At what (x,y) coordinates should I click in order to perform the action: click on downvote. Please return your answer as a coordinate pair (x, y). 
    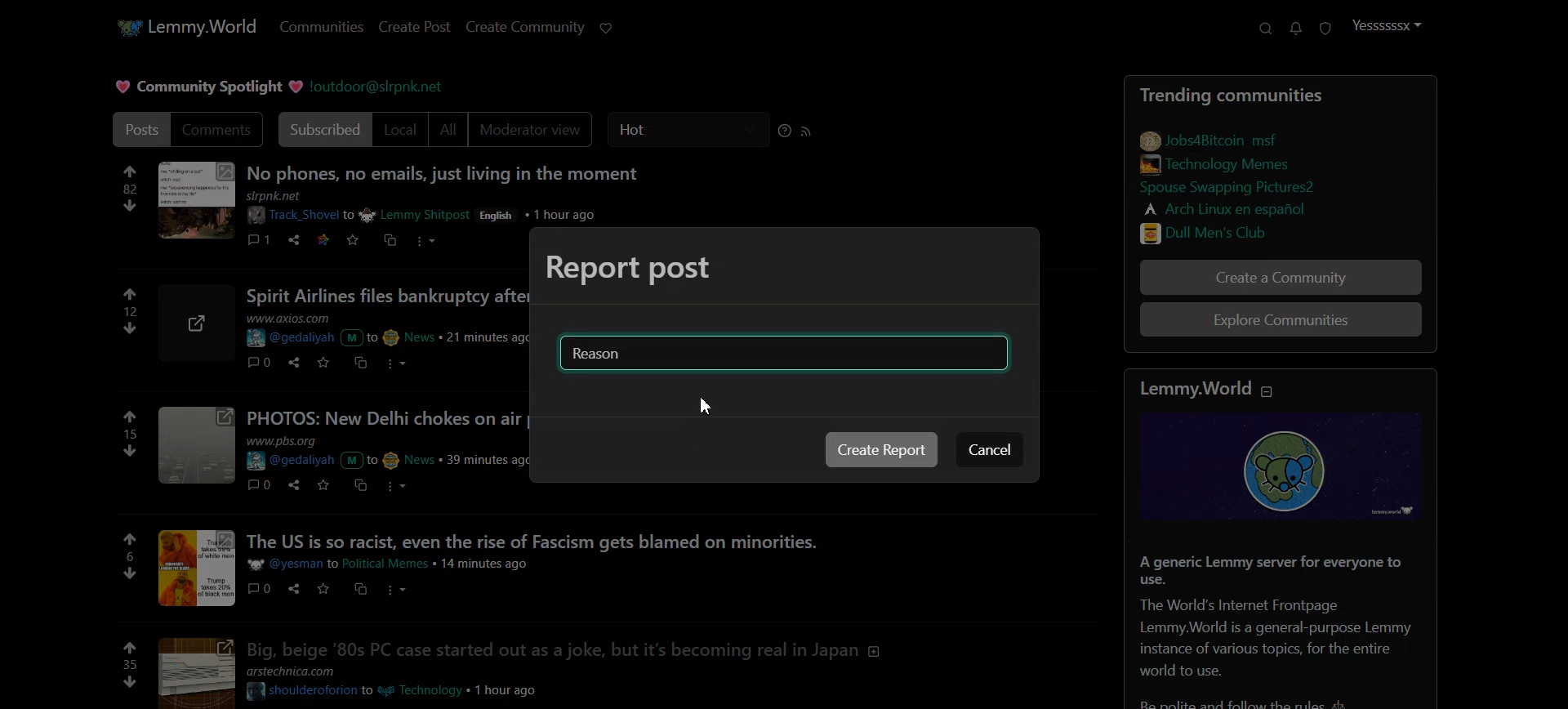
    Looking at the image, I should click on (127, 573).